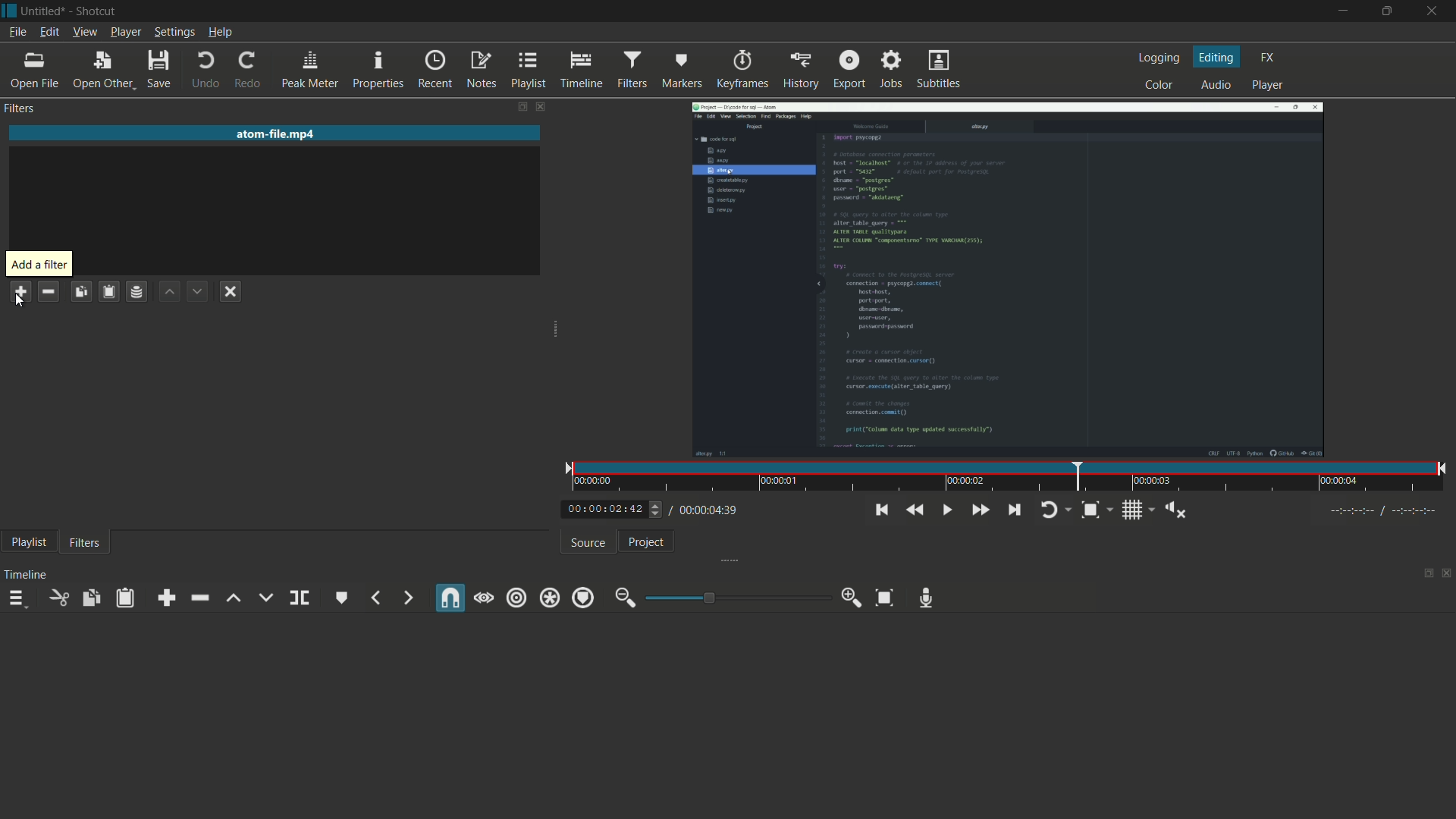 The width and height of the screenshot is (1456, 819). Describe the element at coordinates (90, 598) in the screenshot. I see `copy` at that location.